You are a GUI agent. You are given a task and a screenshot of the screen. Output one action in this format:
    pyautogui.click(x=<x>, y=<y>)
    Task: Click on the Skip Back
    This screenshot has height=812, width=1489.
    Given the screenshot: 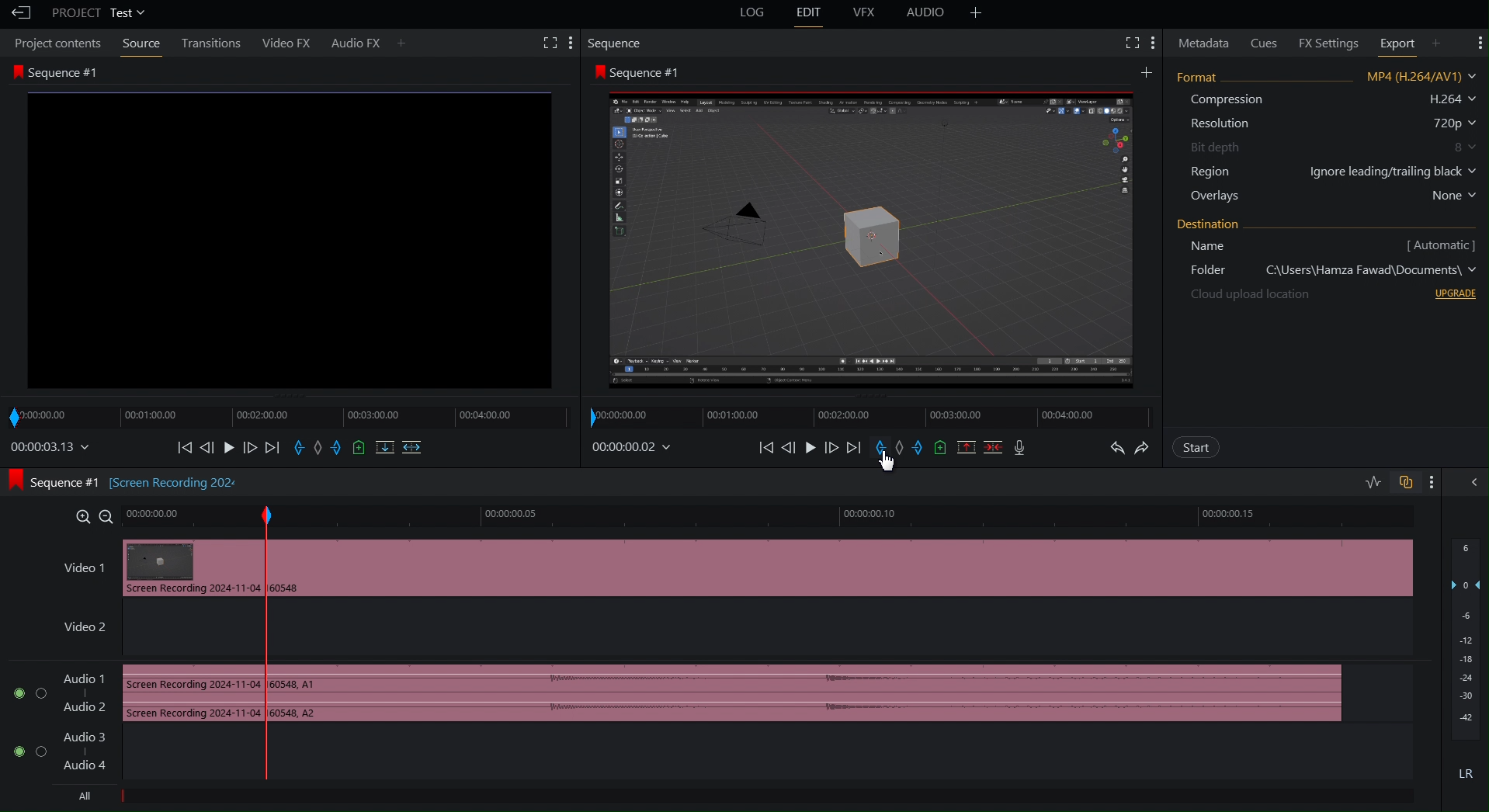 What is the action you would take?
    pyautogui.click(x=764, y=447)
    